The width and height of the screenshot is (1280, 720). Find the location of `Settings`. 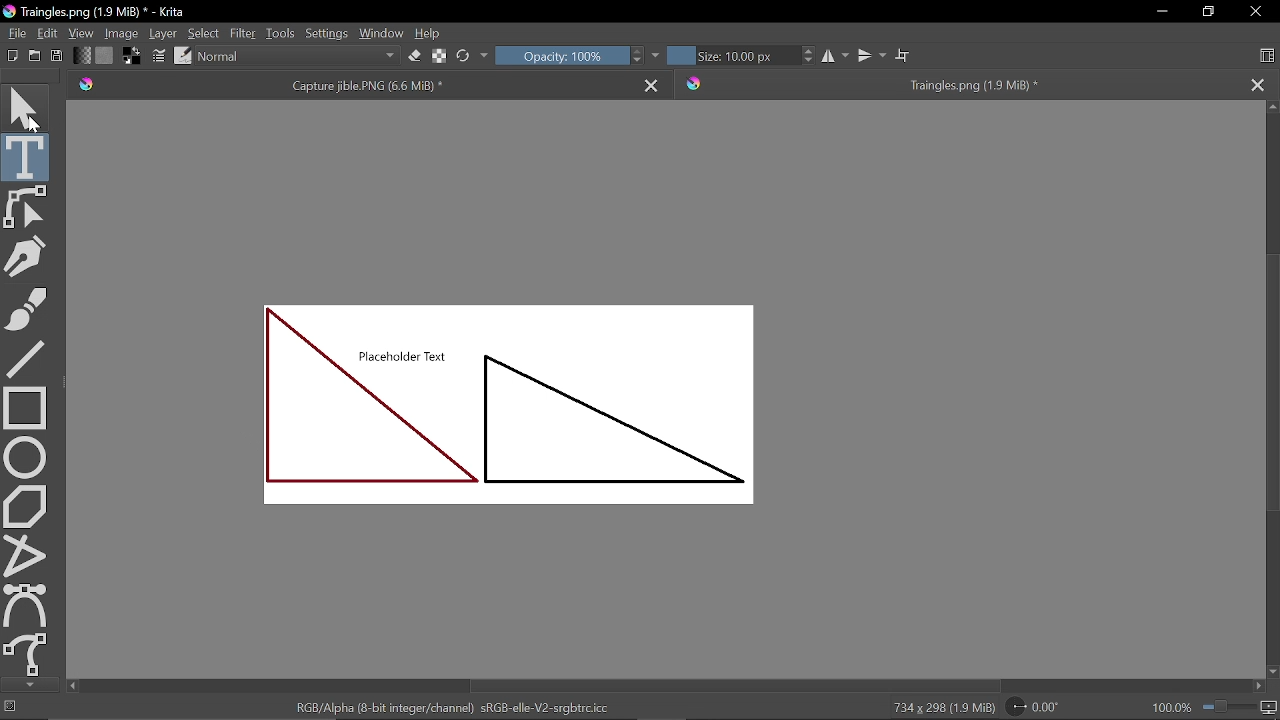

Settings is located at coordinates (326, 32).